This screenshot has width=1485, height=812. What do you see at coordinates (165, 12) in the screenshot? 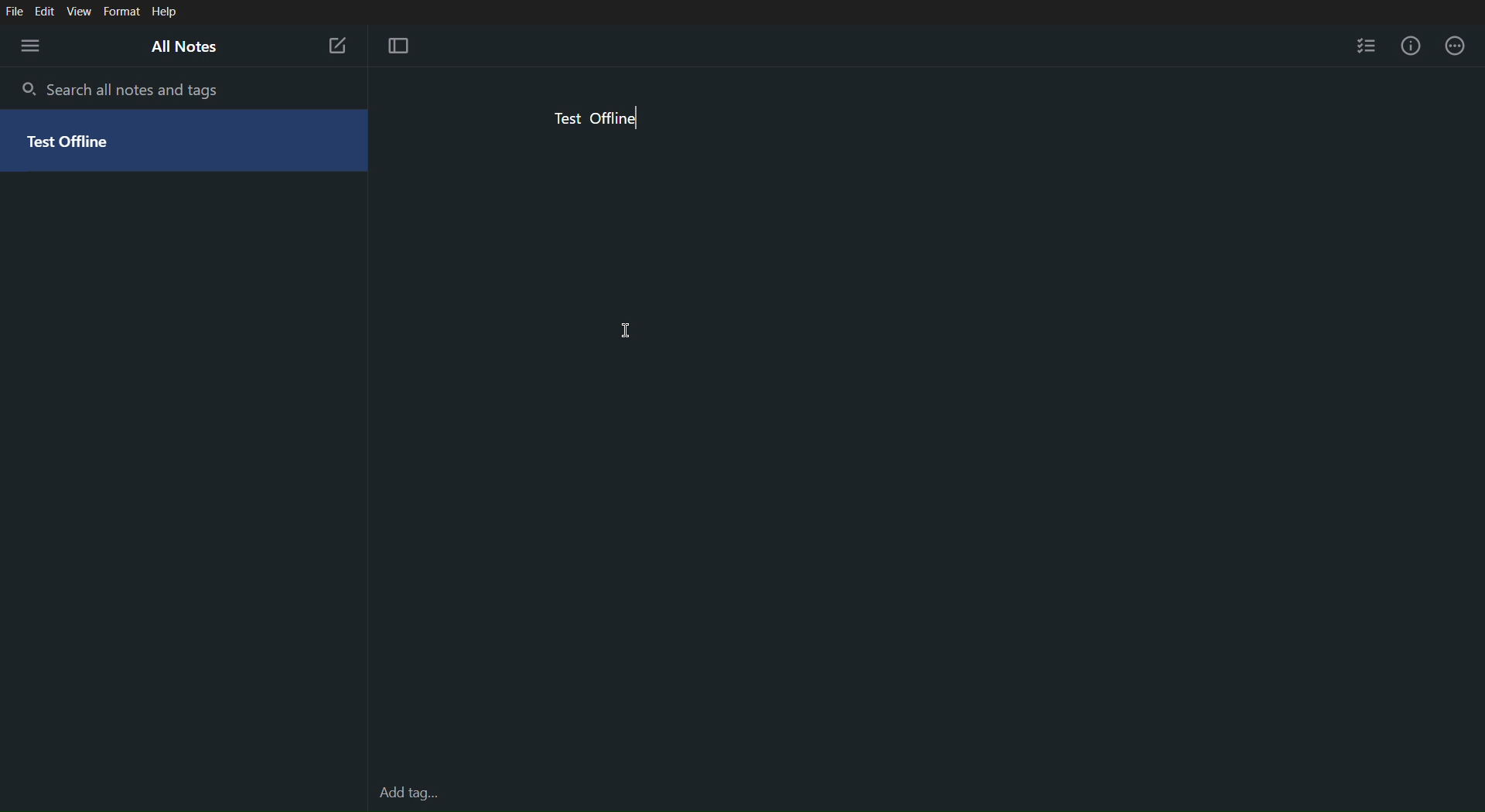
I see `Help` at bounding box center [165, 12].